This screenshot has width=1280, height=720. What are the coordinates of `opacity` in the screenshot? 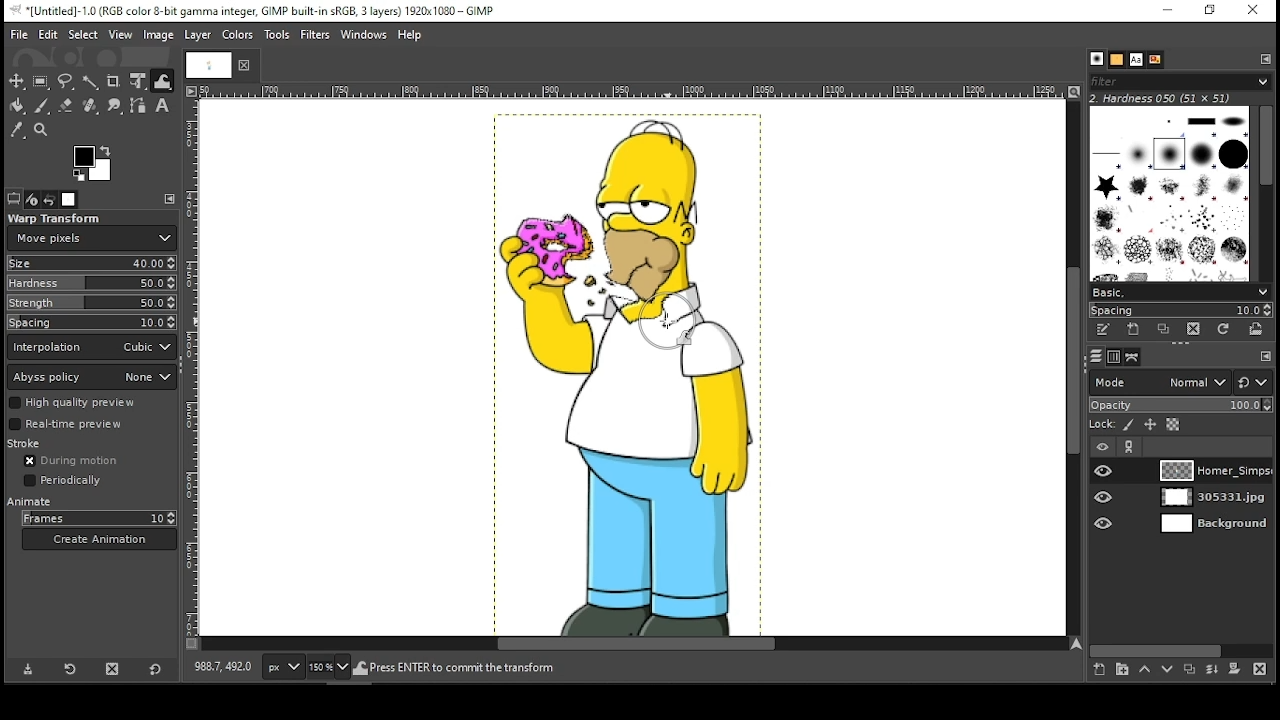 It's located at (1180, 405).